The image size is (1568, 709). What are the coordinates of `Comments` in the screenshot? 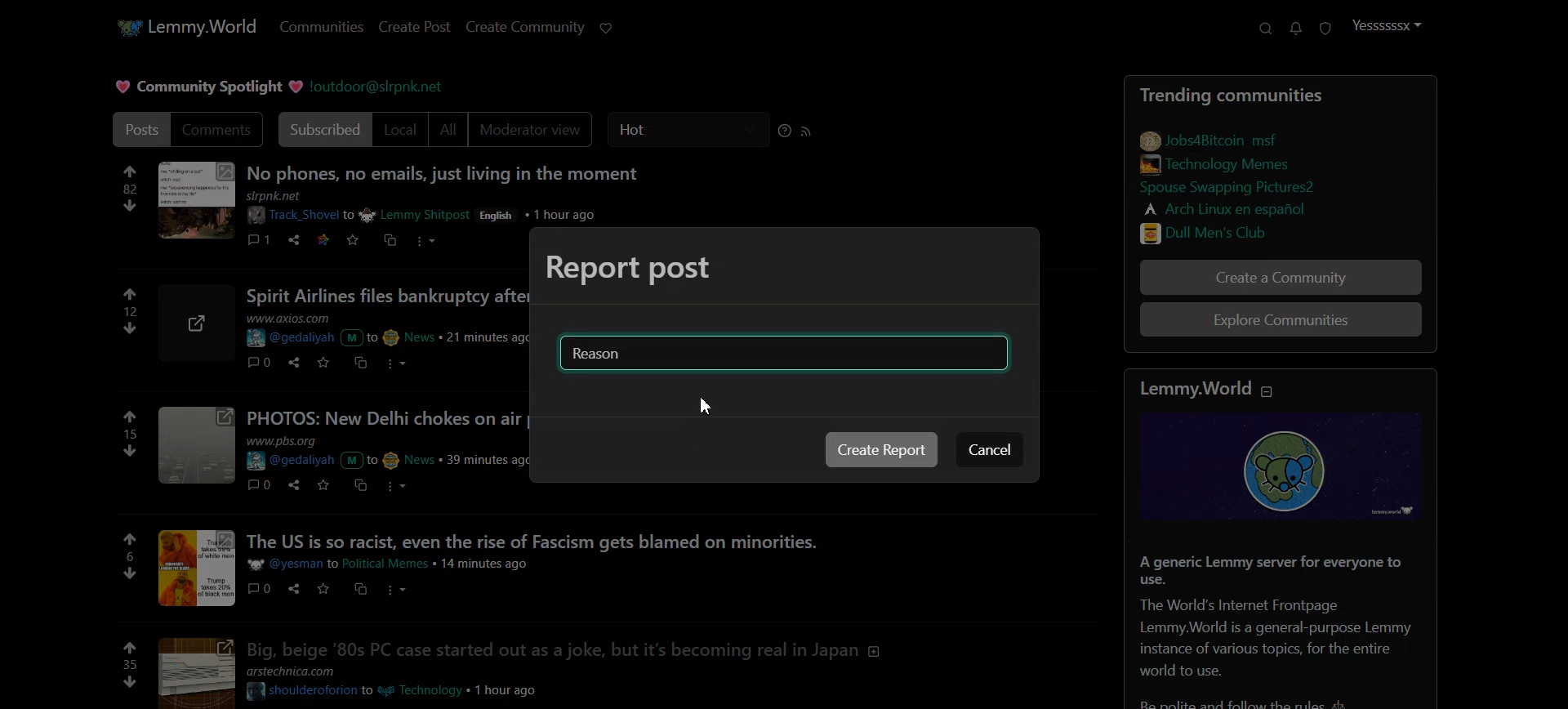 It's located at (217, 130).